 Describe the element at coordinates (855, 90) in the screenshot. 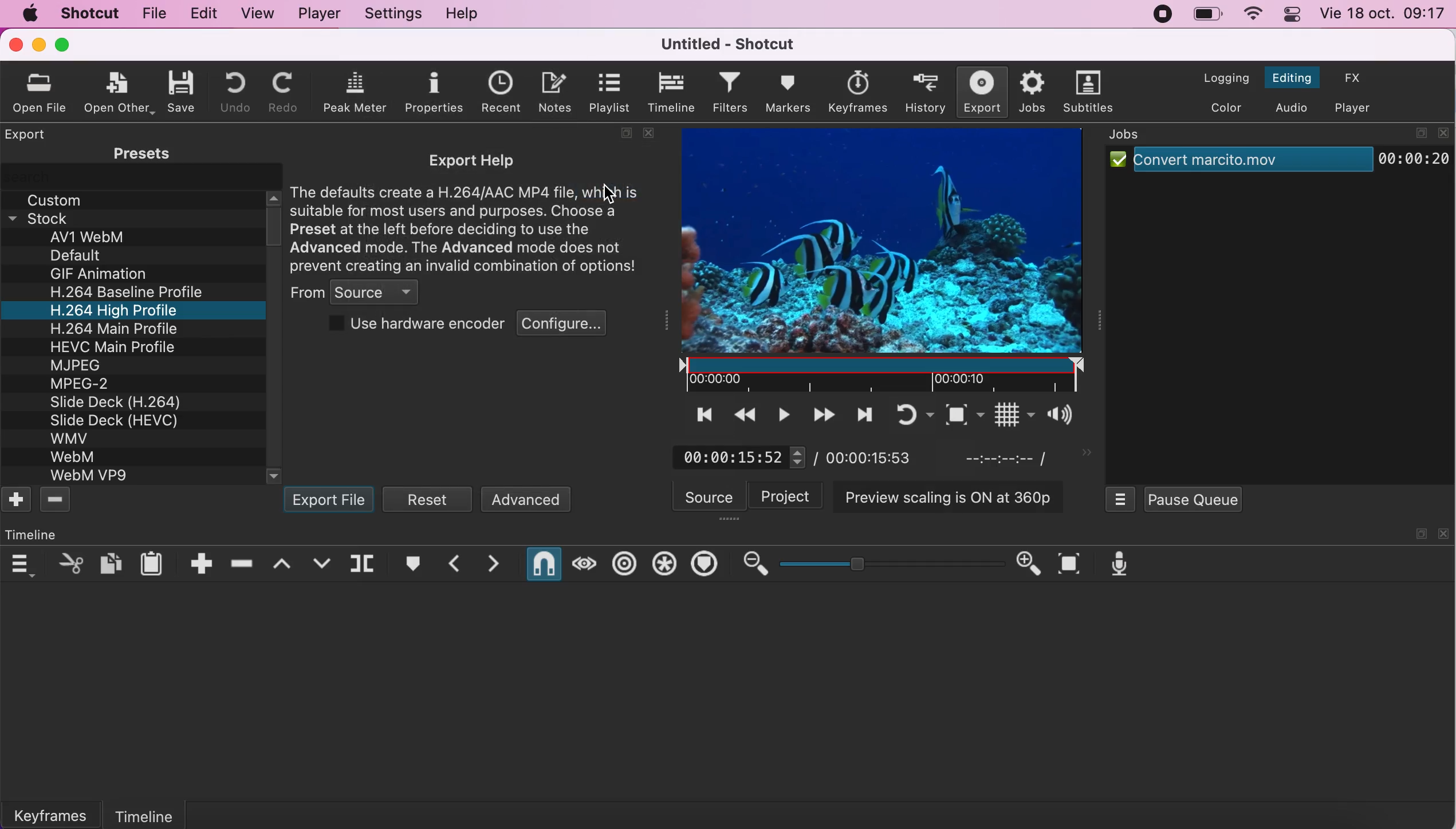

I see `keyframes` at that location.